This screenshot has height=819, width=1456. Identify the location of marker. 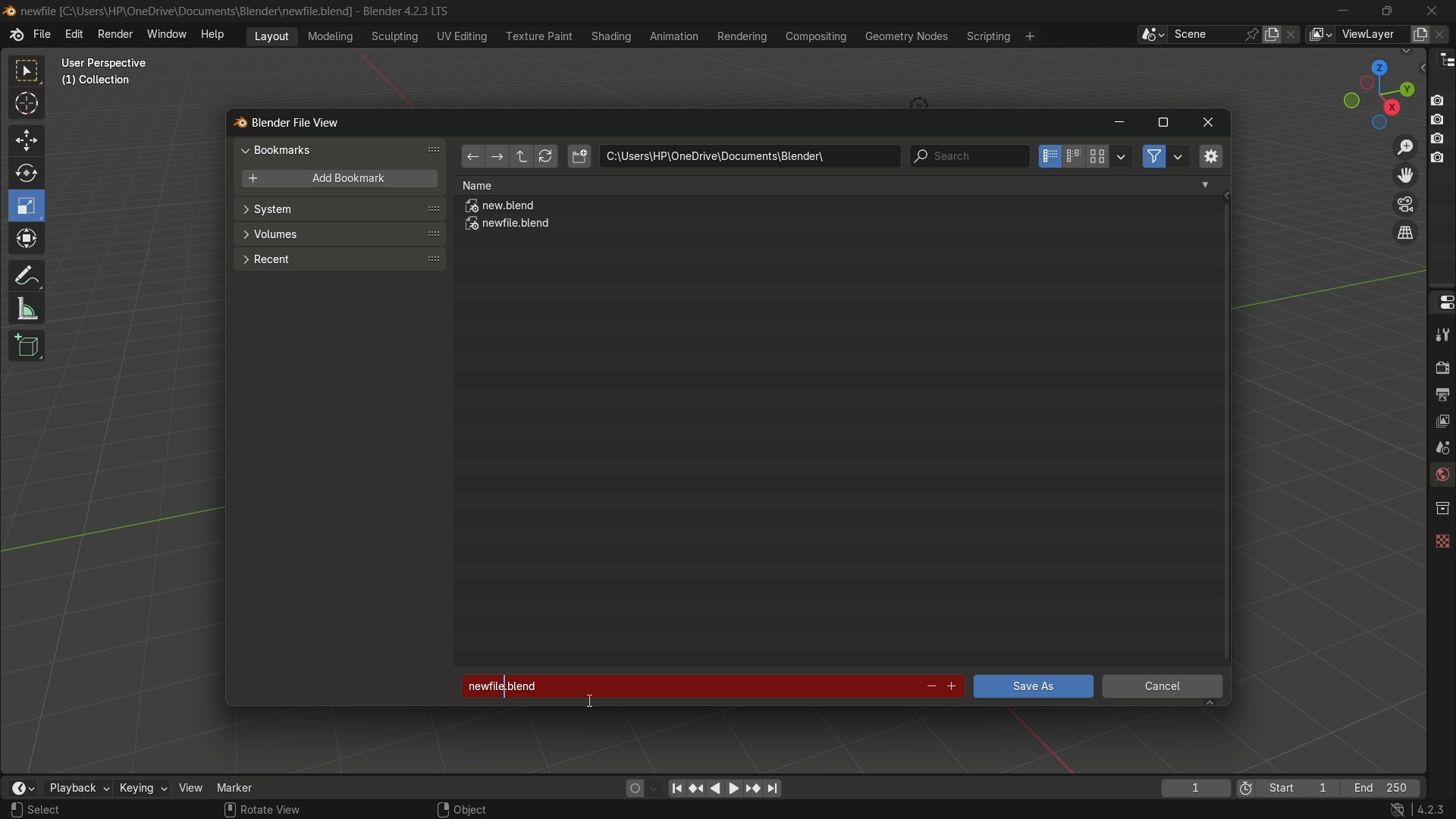
(246, 786).